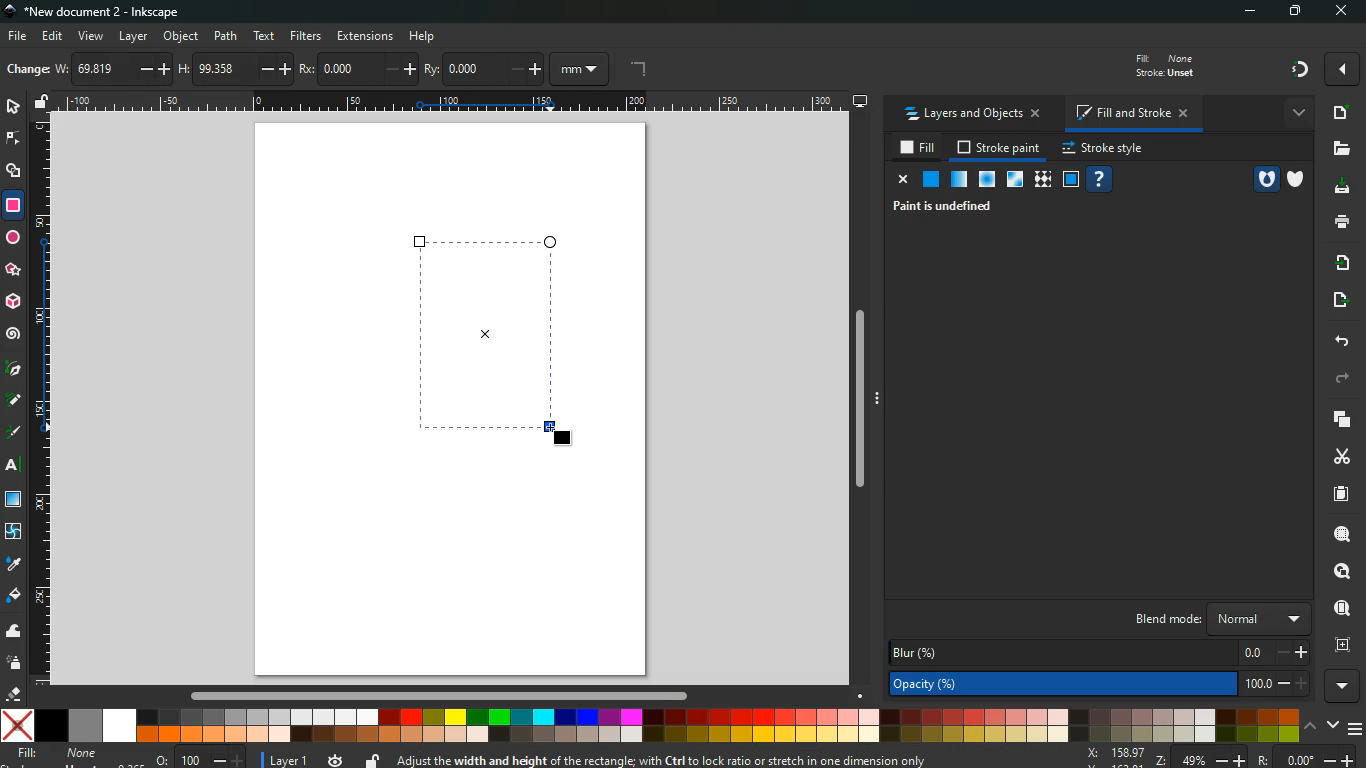 The image size is (1366, 768). What do you see at coordinates (482, 70) in the screenshot?
I see `ry` at bounding box center [482, 70].